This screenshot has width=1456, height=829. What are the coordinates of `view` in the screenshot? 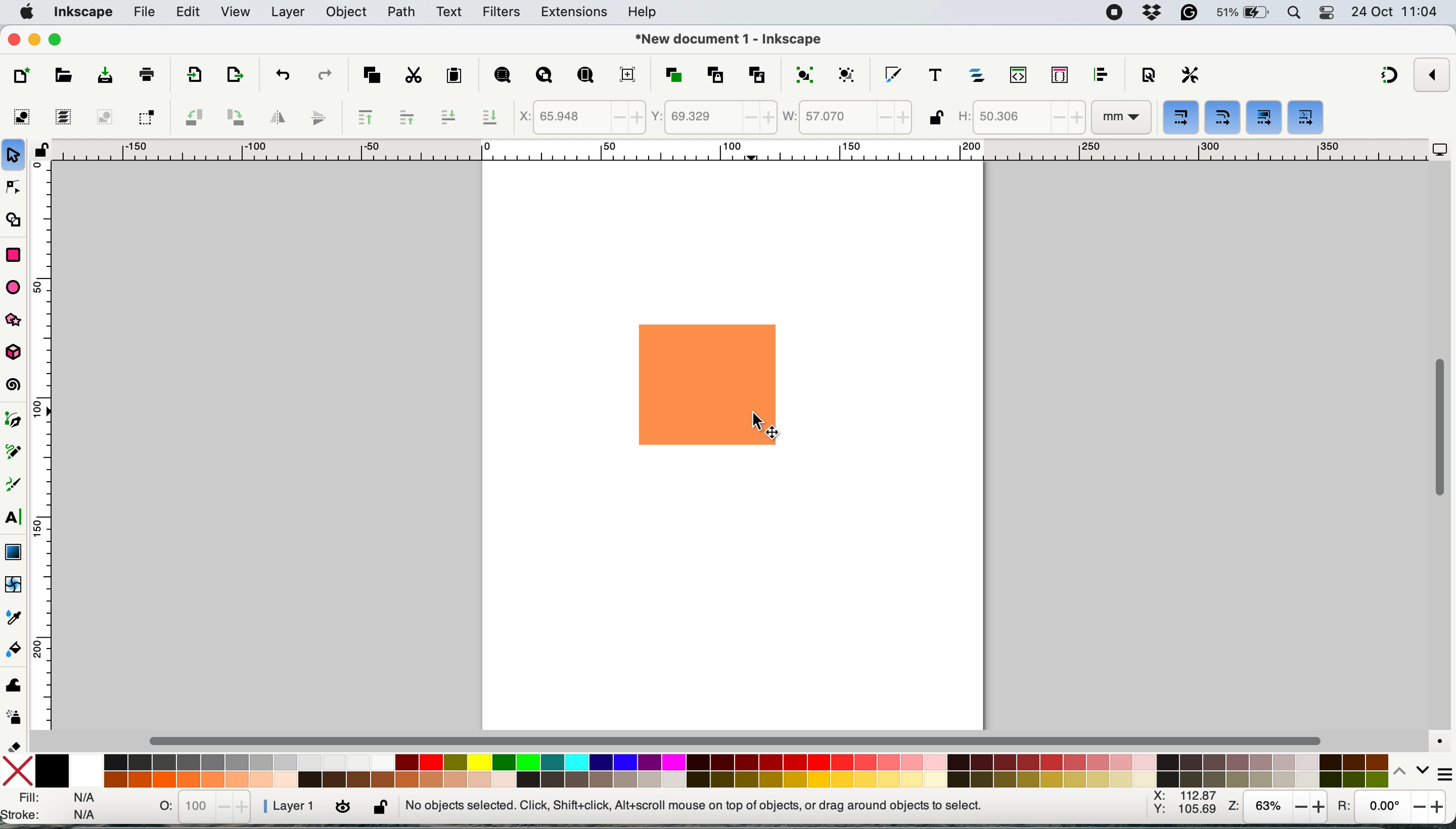 It's located at (237, 13).